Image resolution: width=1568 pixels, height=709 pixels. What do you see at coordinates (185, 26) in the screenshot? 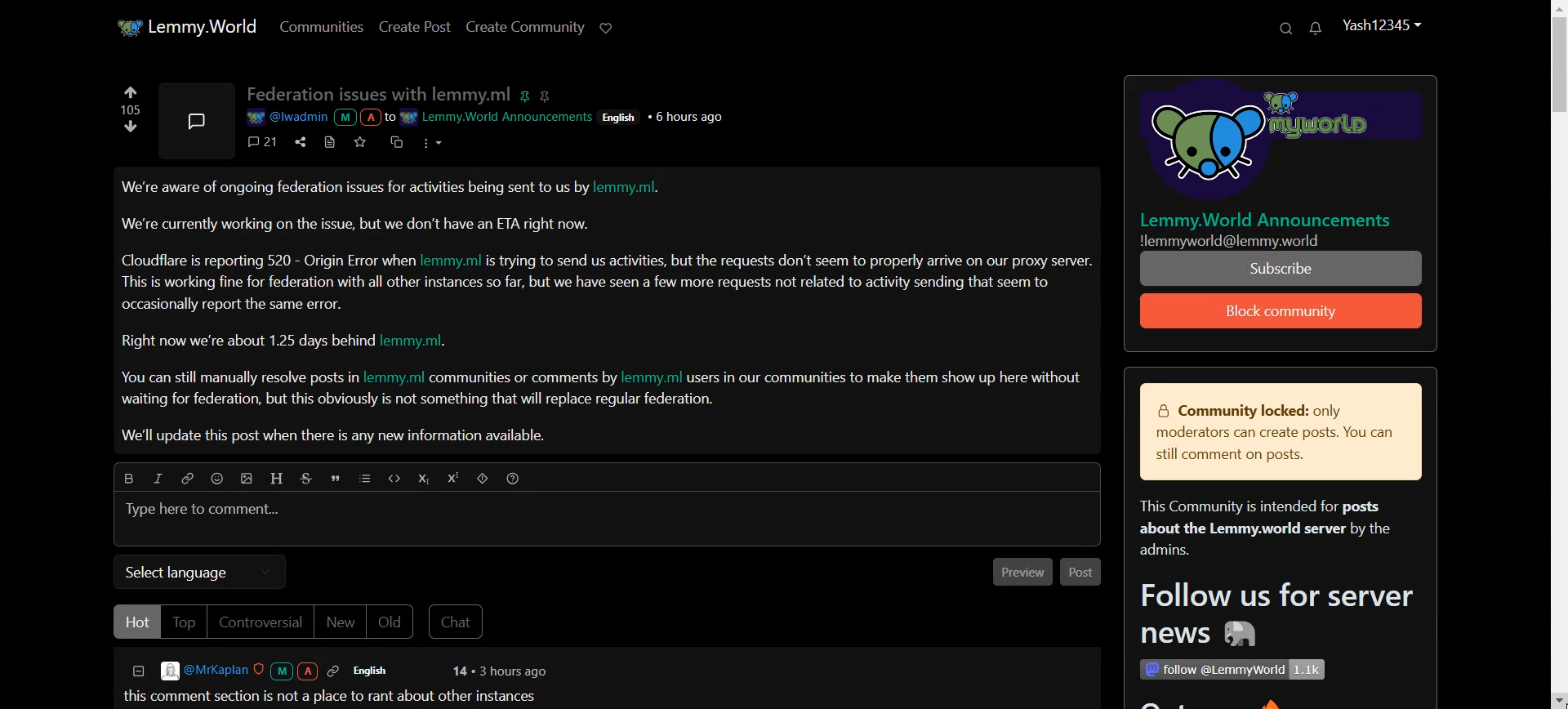
I see `Home Page` at bounding box center [185, 26].